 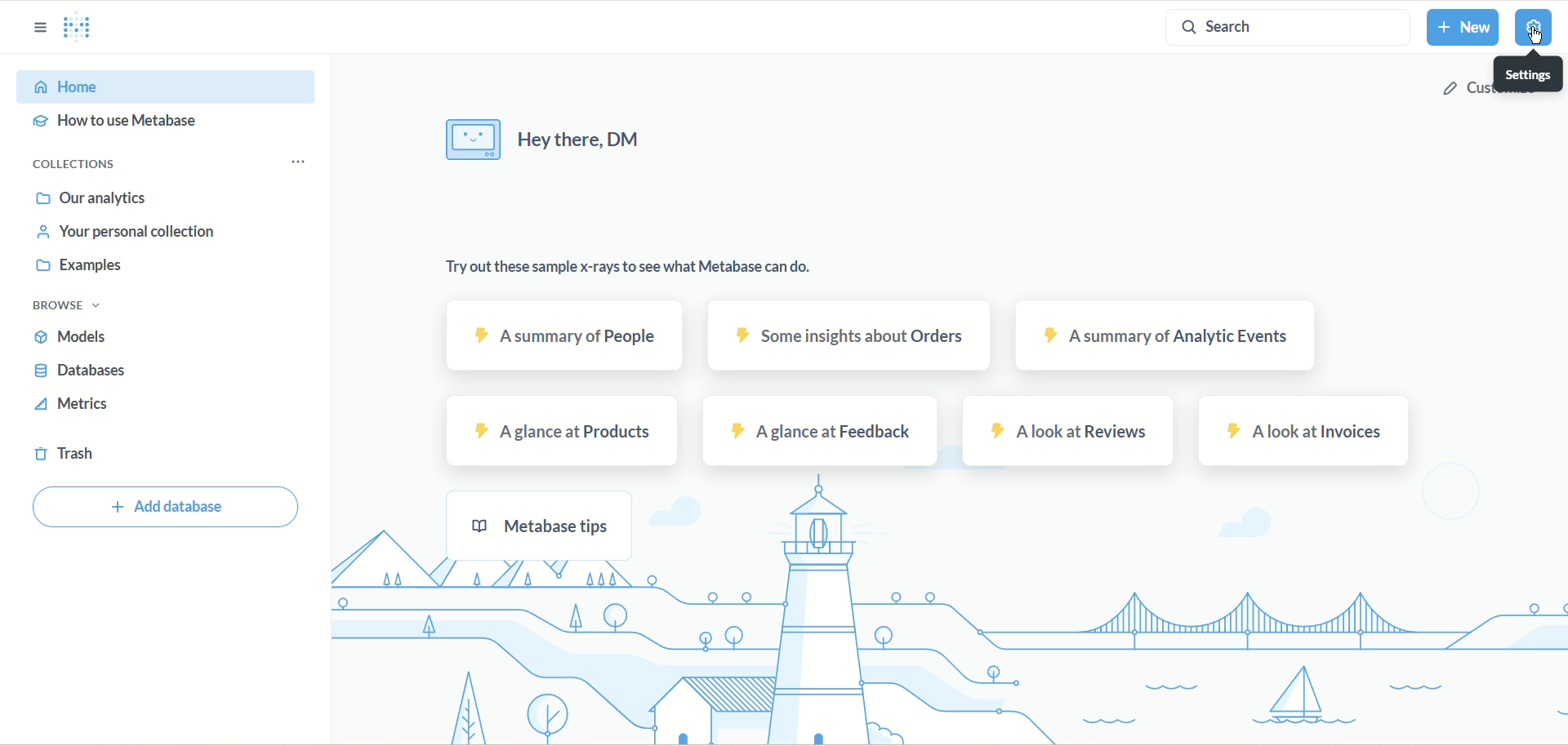 What do you see at coordinates (820, 431) in the screenshot?
I see `a glance t feedback` at bounding box center [820, 431].